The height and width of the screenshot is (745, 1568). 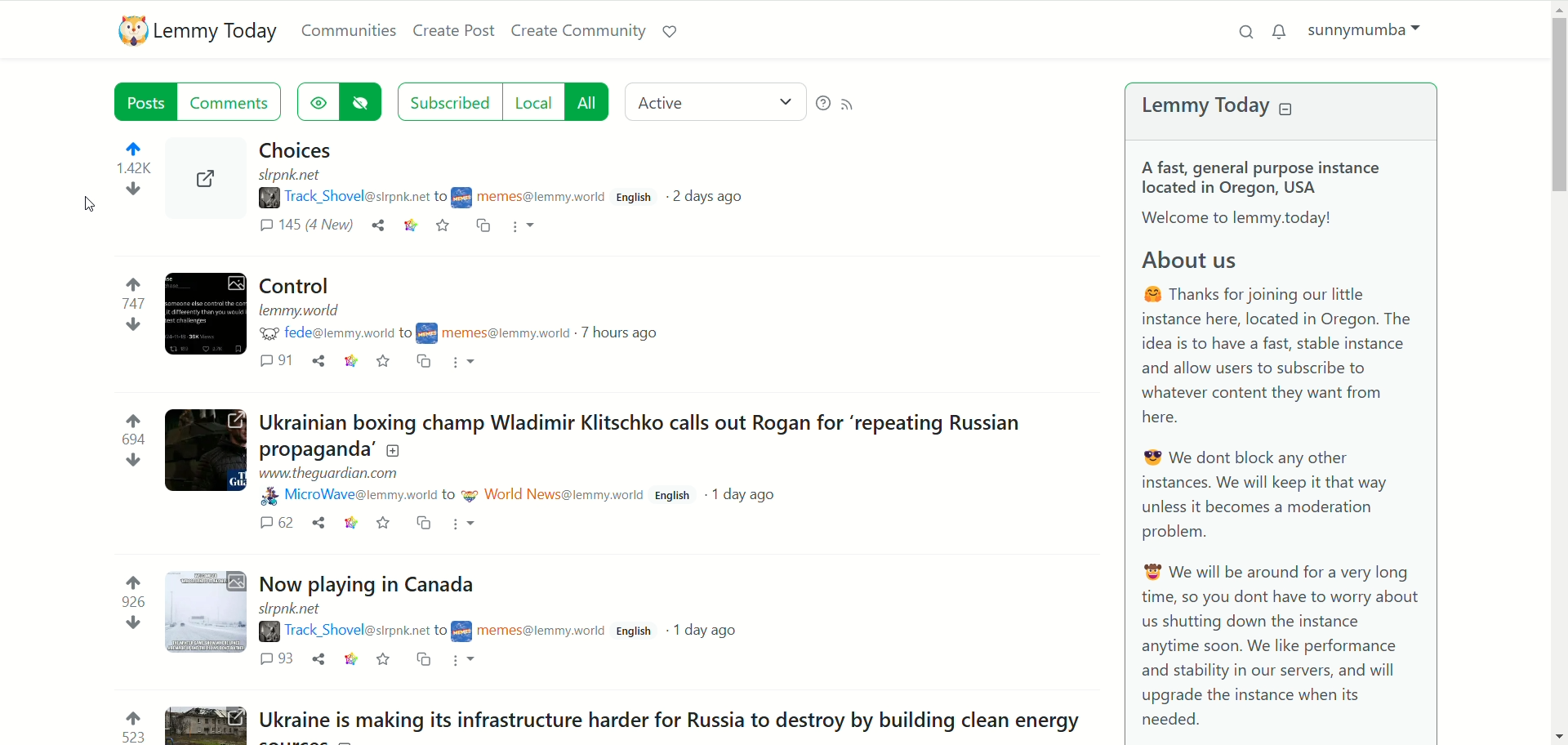 What do you see at coordinates (234, 101) in the screenshot?
I see `comments` at bounding box center [234, 101].